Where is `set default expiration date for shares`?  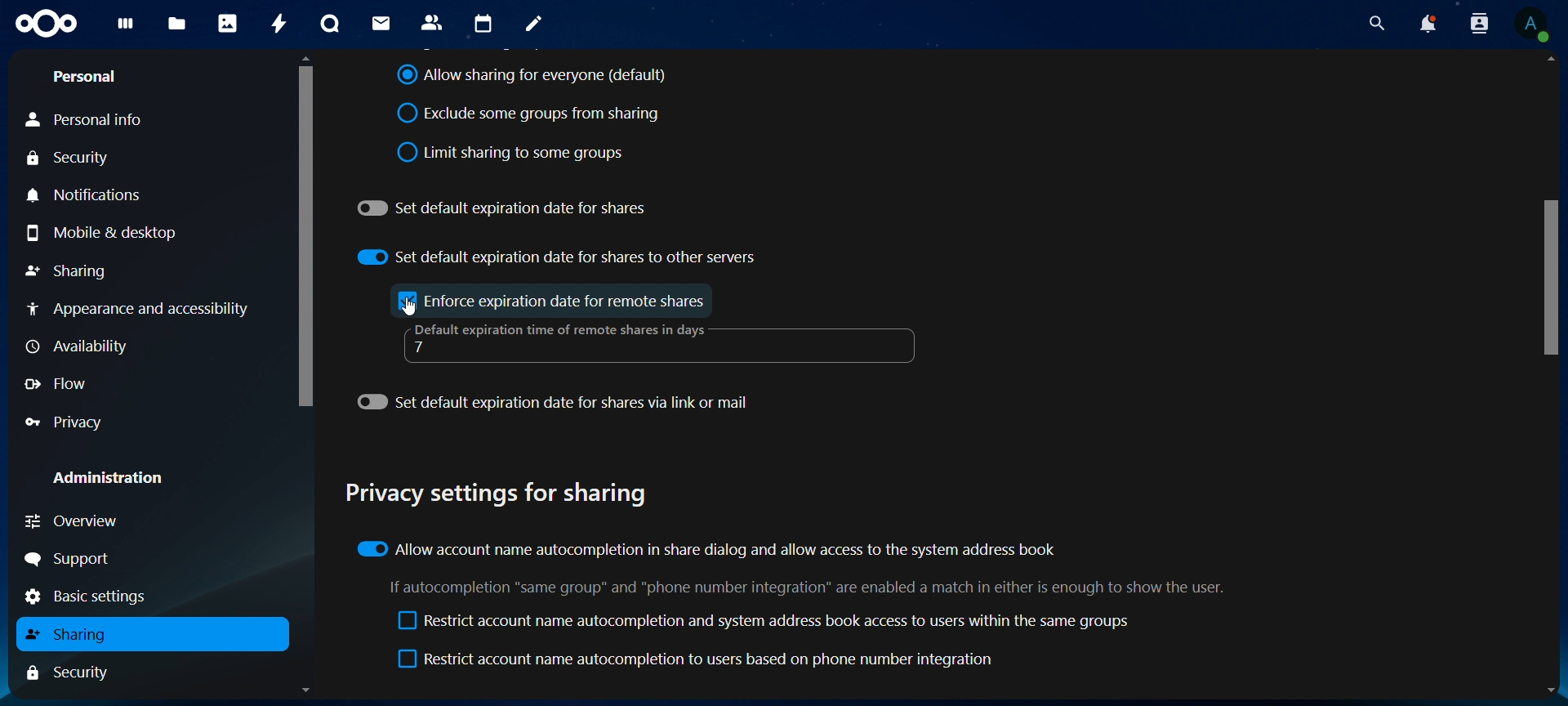 set default expiration date for shares is located at coordinates (505, 206).